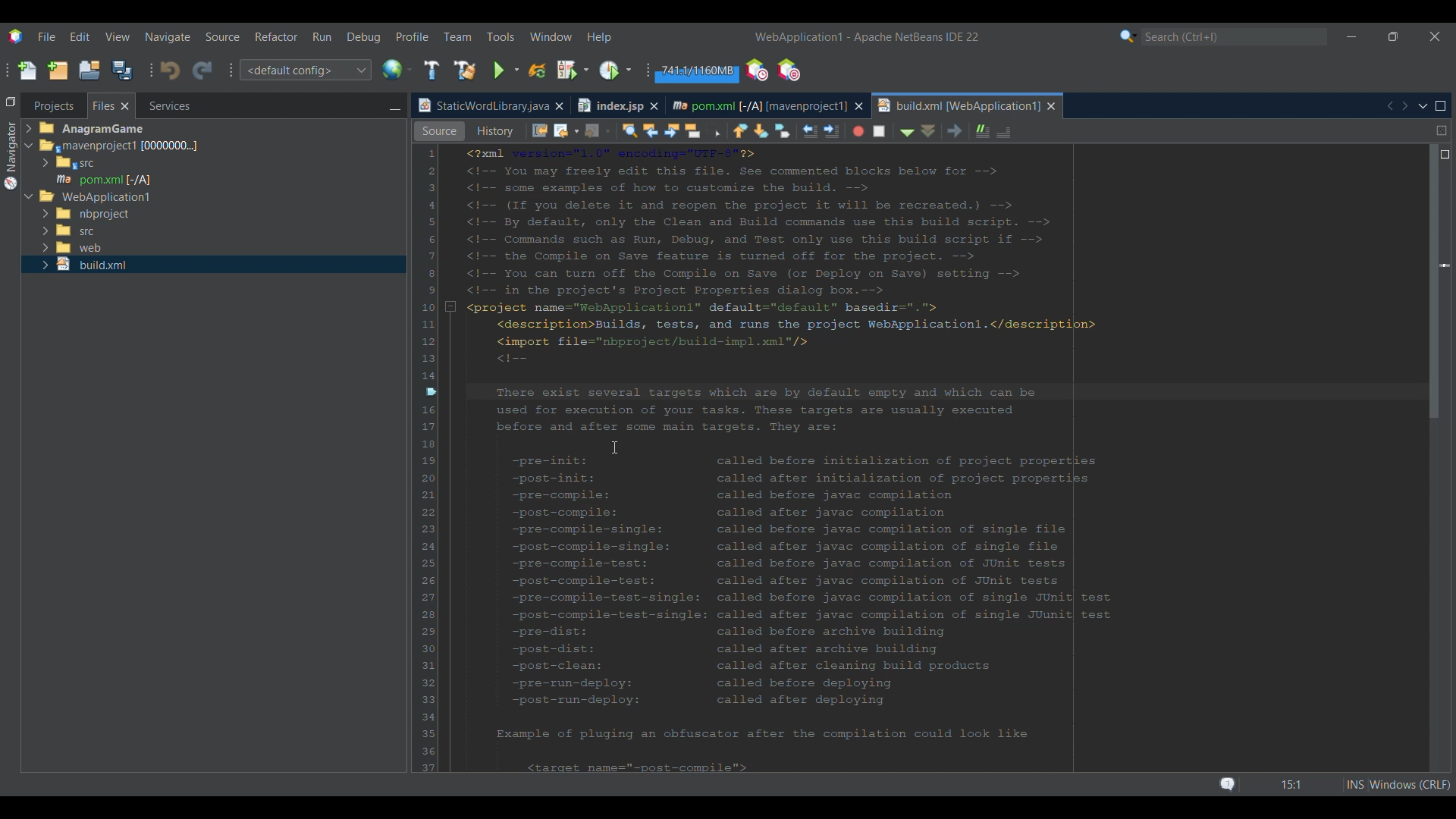 The width and height of the screenshot is (1456, 819). Describe the element at coordinates (831, 130) in the screenshot. I see `Toggle highlight search` at that location.